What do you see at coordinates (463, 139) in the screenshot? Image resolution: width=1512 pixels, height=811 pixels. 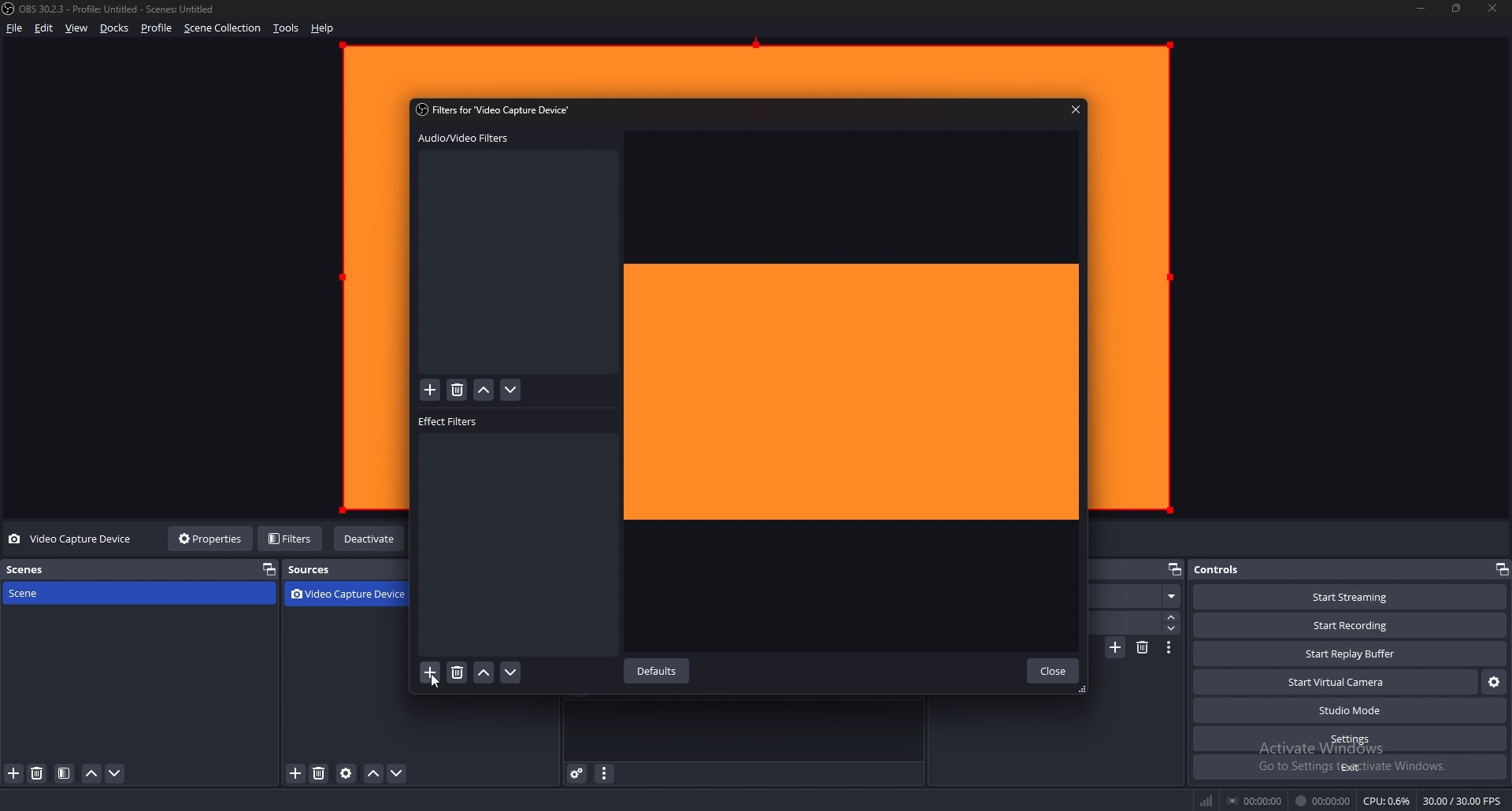 I see `audio video filter` at bounding box center [463, 139].